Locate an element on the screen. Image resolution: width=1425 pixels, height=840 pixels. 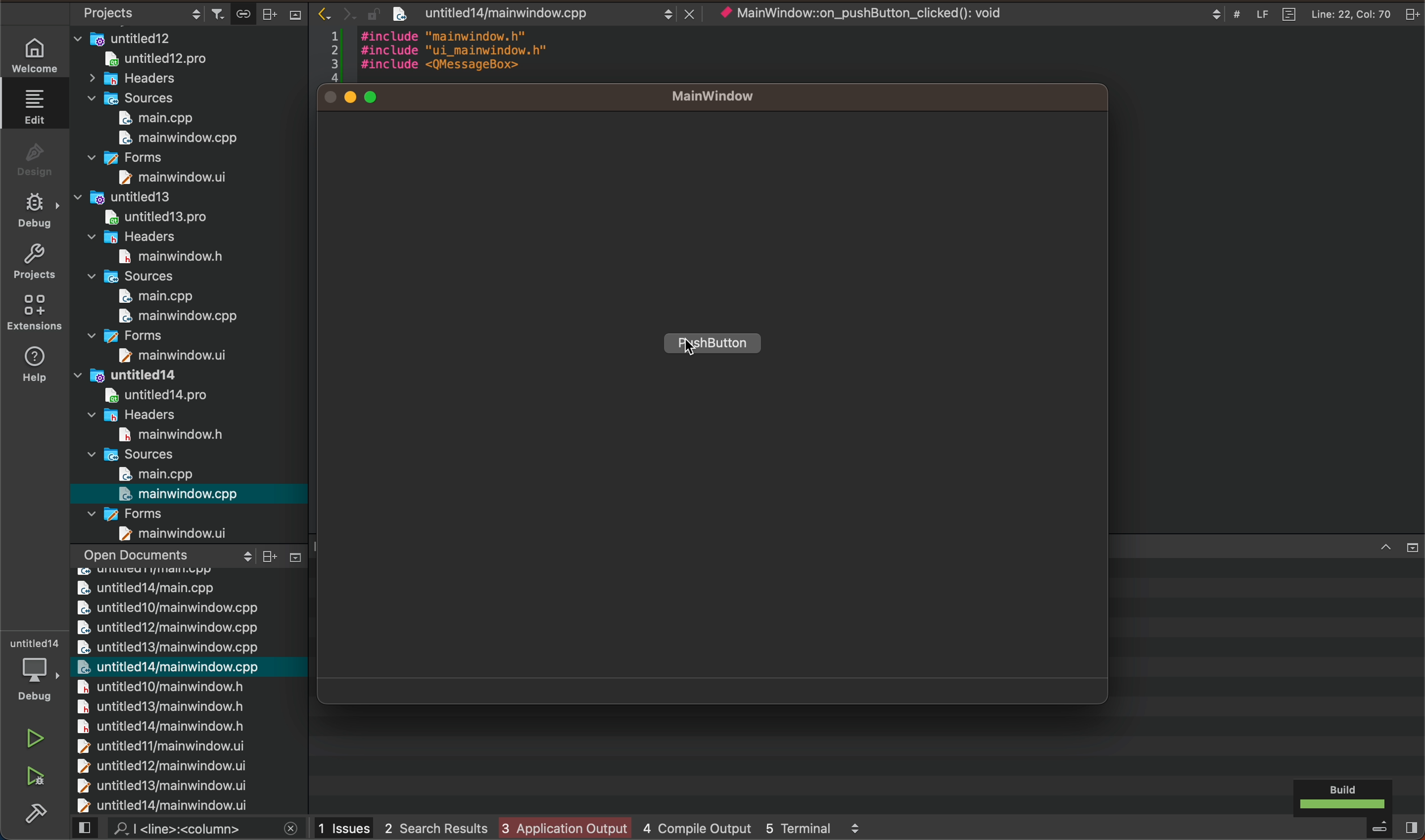
sources is located at coordinates (138, 453).